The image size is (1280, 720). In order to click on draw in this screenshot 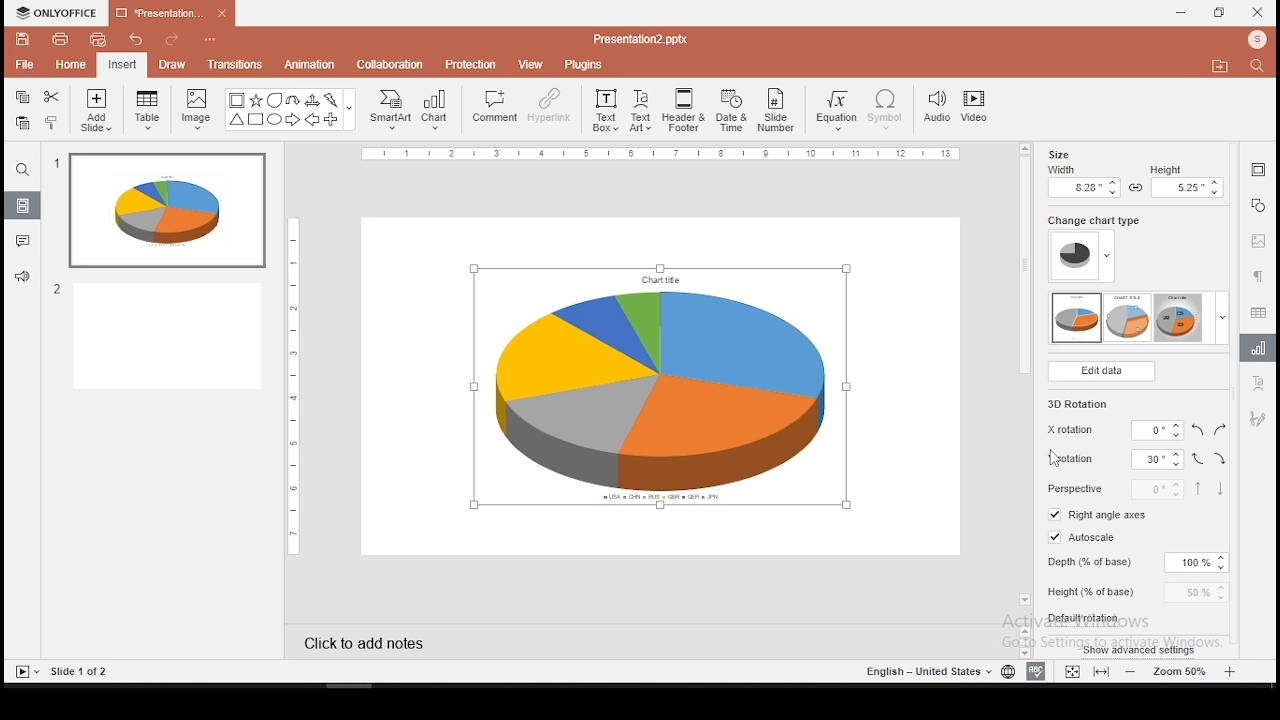, I will do `click(172, 65)`.